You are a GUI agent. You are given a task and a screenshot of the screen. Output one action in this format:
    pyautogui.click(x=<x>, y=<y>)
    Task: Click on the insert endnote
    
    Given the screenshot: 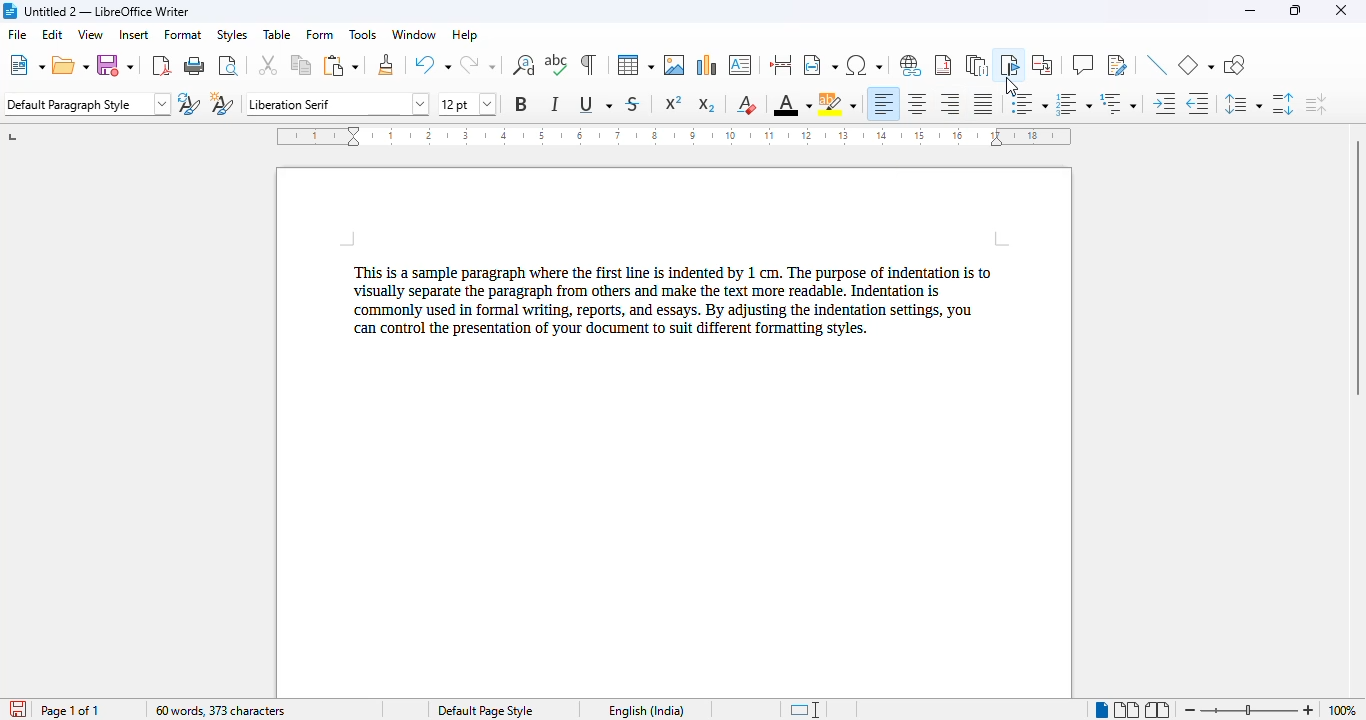 What is the action you would take?
    pyautogui.click(x=978, y=65)
    